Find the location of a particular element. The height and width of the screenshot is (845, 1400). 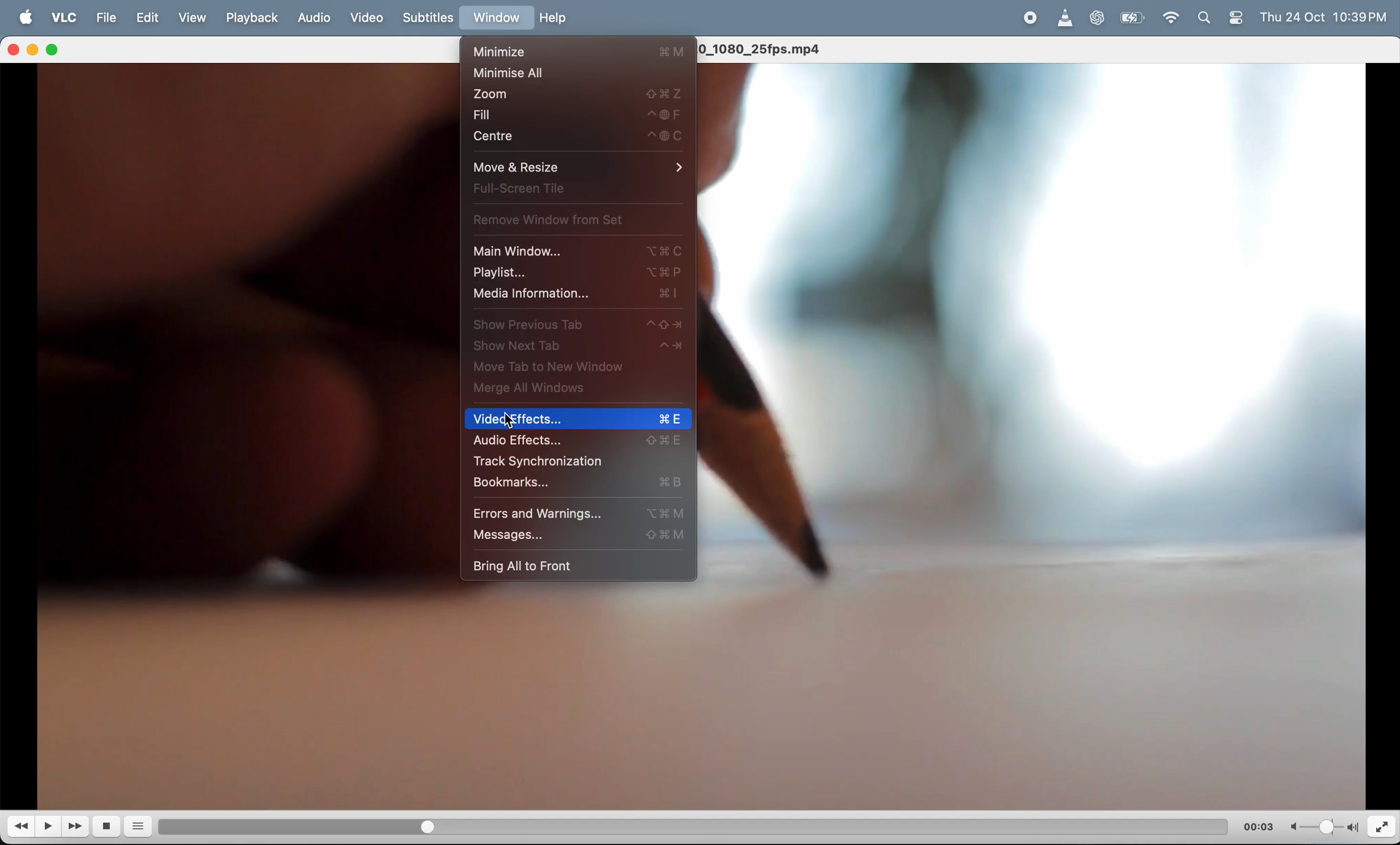

messages is located at coordinates (575, 534).